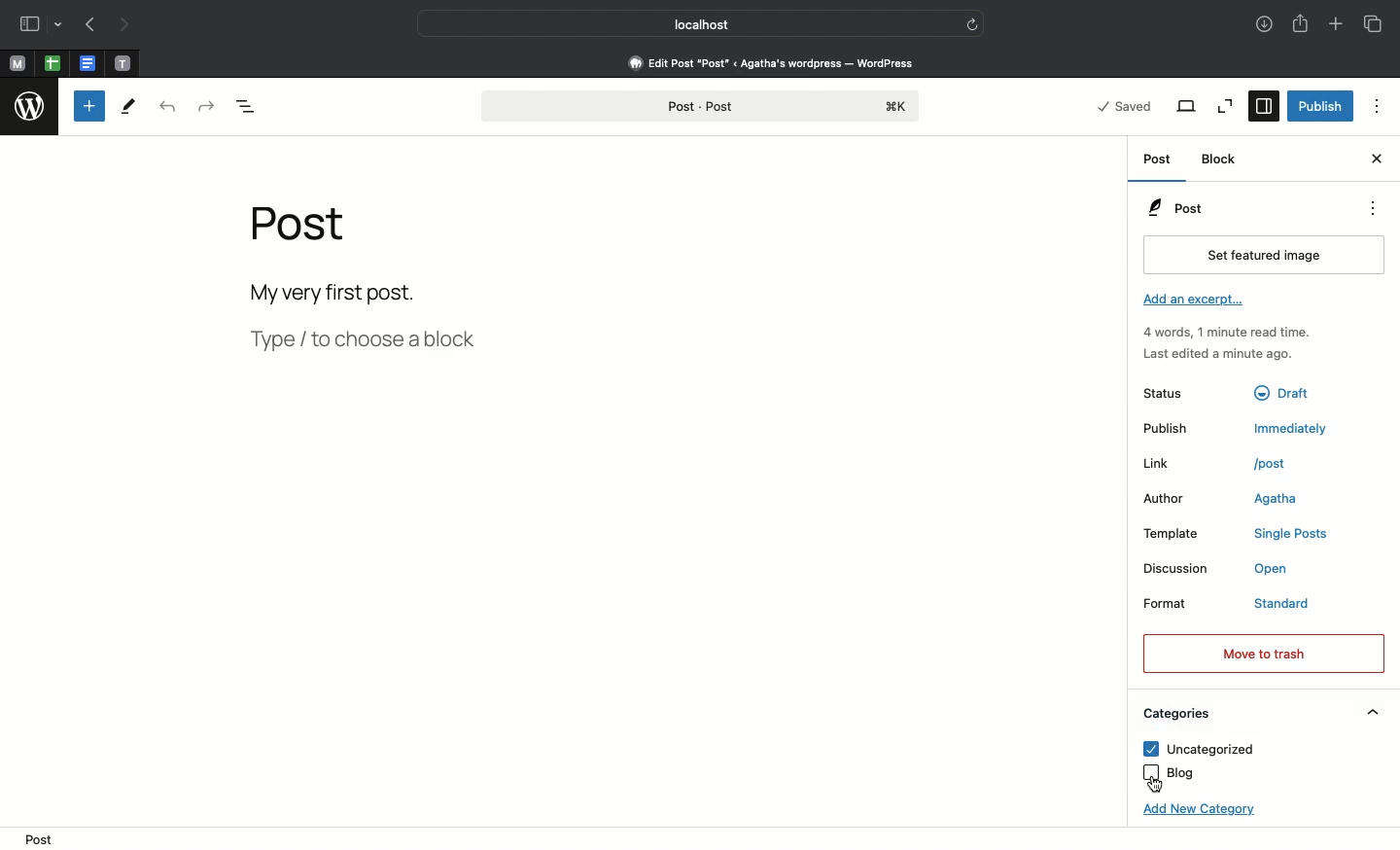  I want to click on Publish, so click(1179, 429).